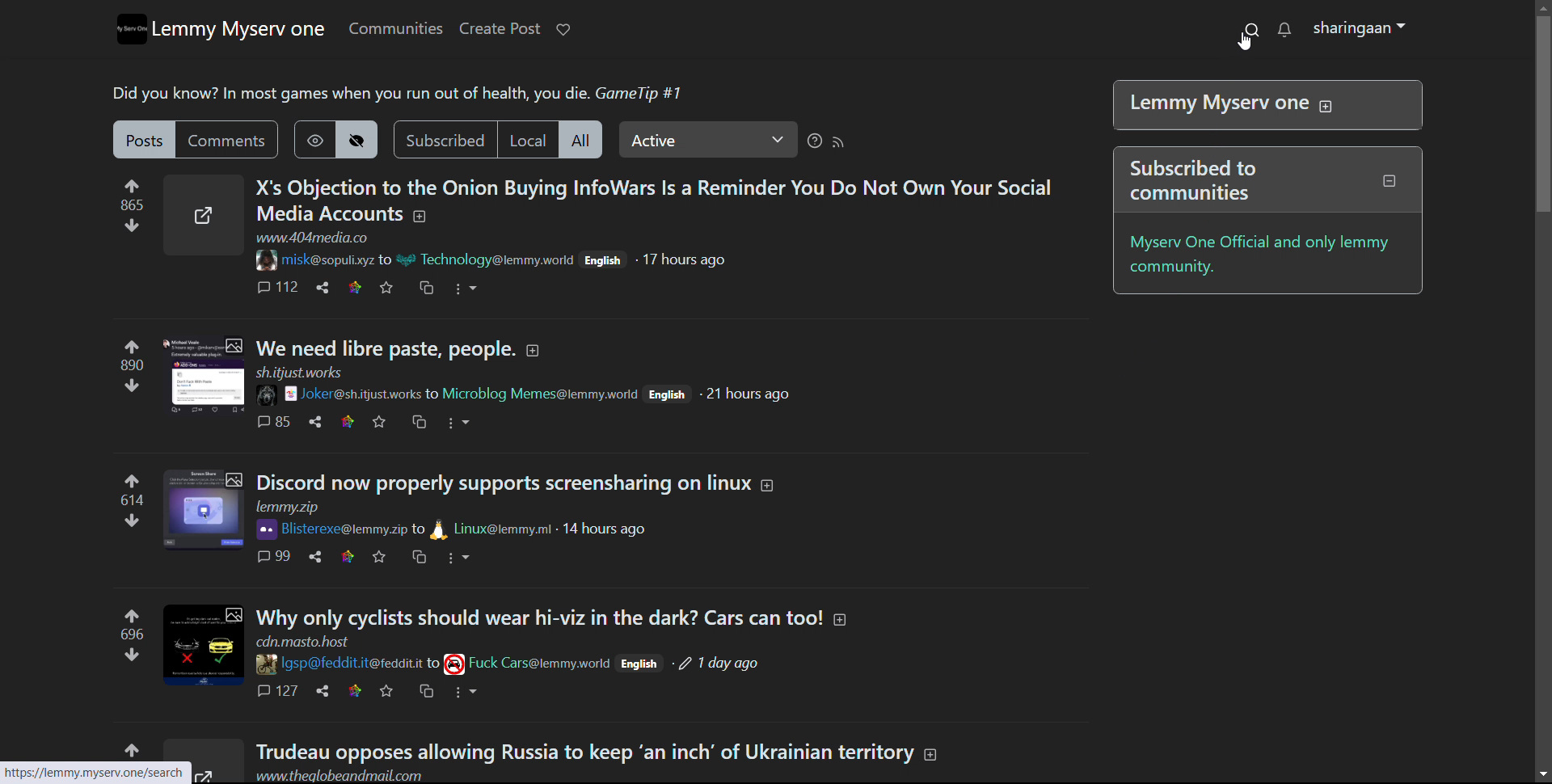 The image size is (1552, 784). I want to click on all, so click(584, 139).